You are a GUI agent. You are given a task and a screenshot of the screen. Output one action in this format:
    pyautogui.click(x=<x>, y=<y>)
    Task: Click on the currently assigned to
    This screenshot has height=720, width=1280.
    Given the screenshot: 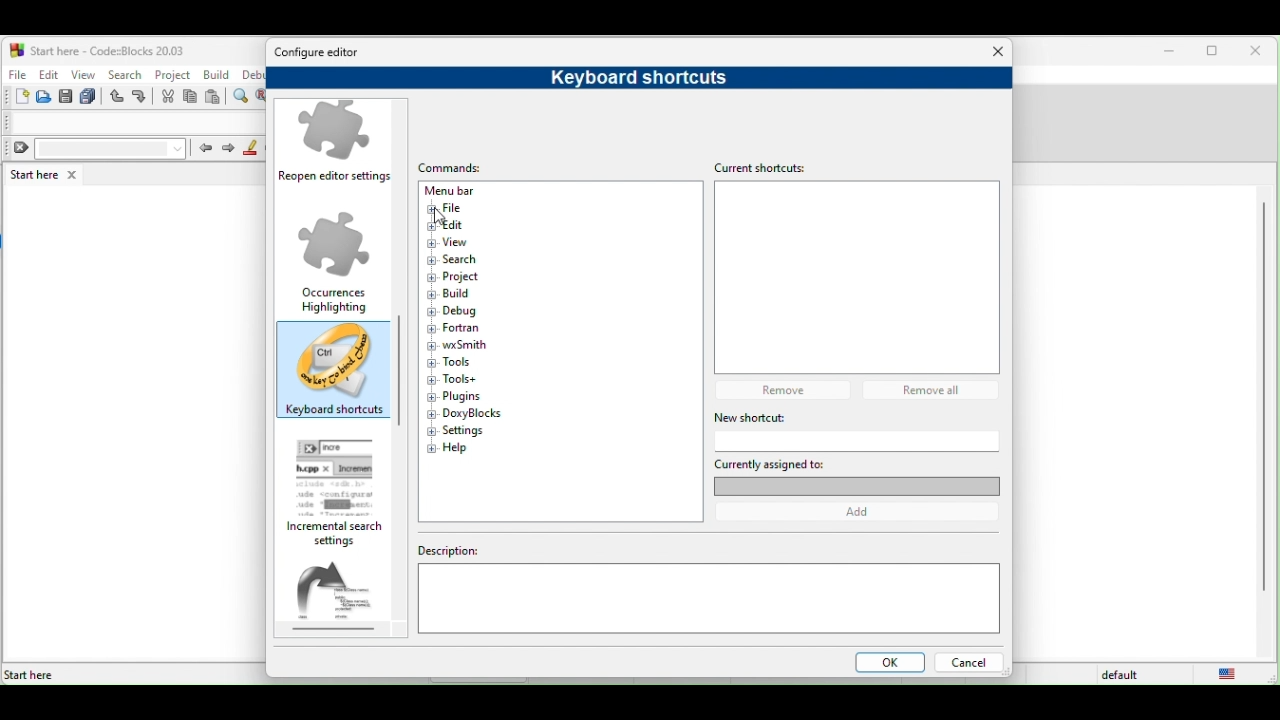 What is the action you would take?
    pyautogui.click(x=856, y=475)
    